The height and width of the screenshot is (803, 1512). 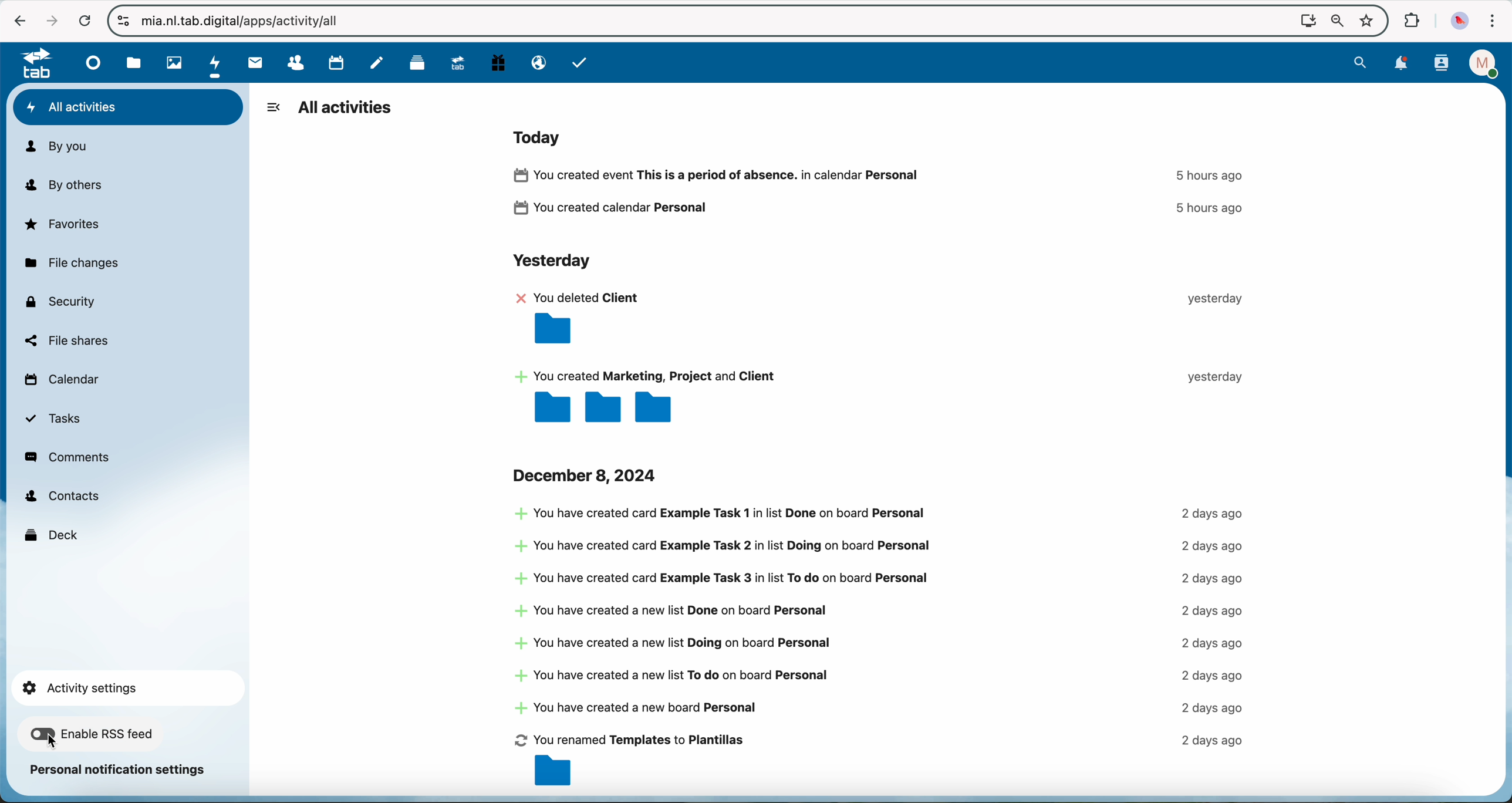 I want to click on contacts, so click(x=1443, y=63).